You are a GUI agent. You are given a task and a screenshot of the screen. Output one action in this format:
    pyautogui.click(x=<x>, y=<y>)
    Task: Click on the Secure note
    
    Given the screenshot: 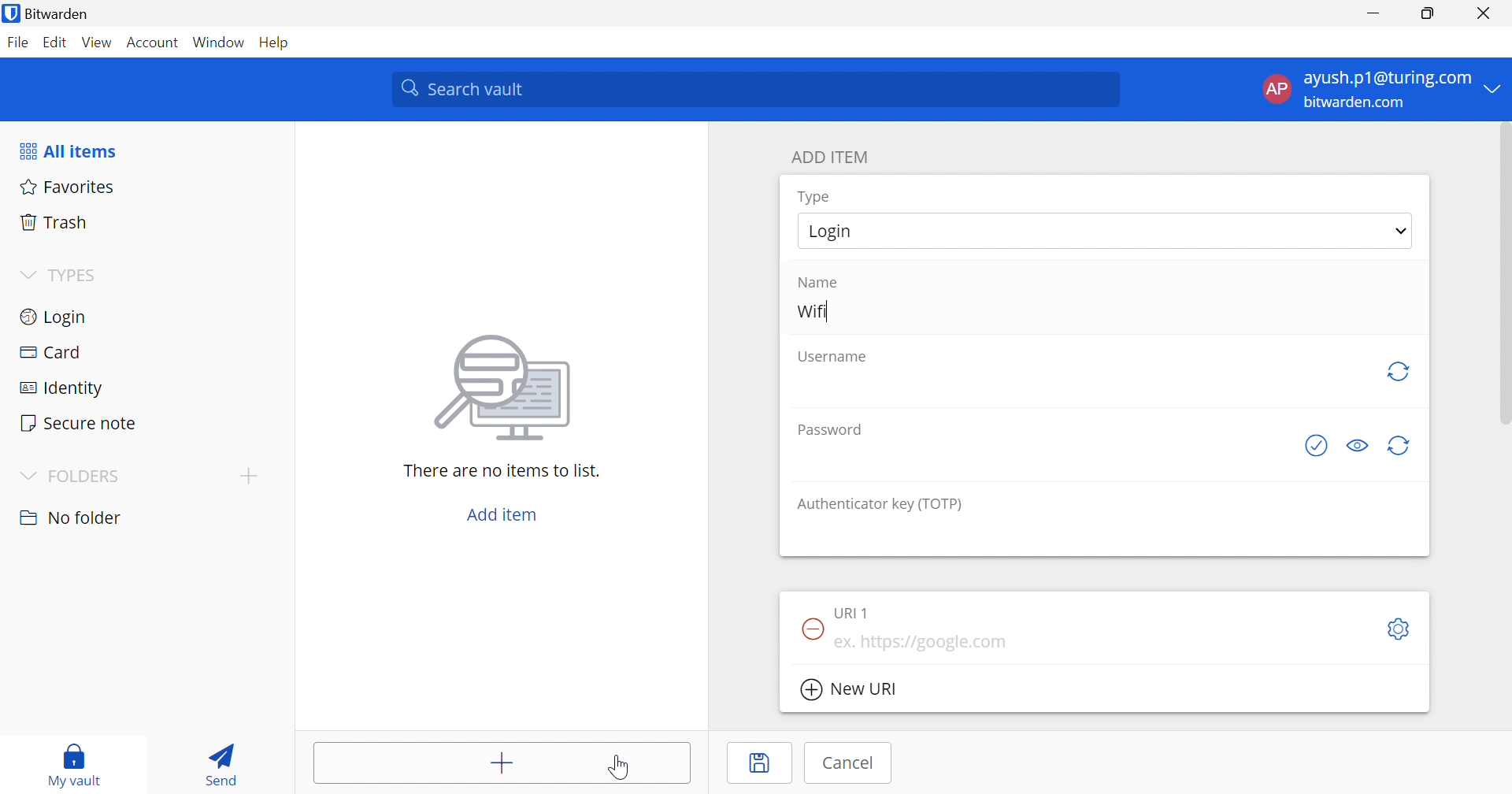 What is the action you would take?
    pyautogui.click(x=77, y=425)
    